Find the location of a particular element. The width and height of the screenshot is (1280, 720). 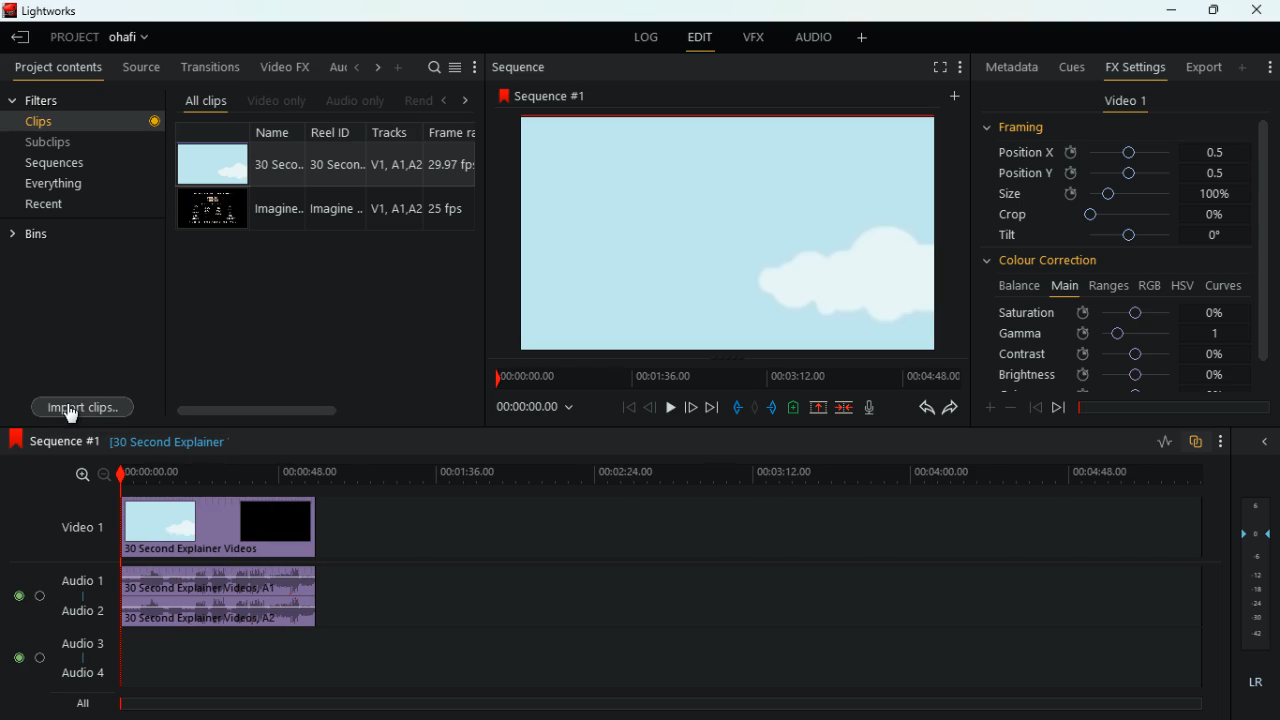

fps is located at coordinates (450, 176).